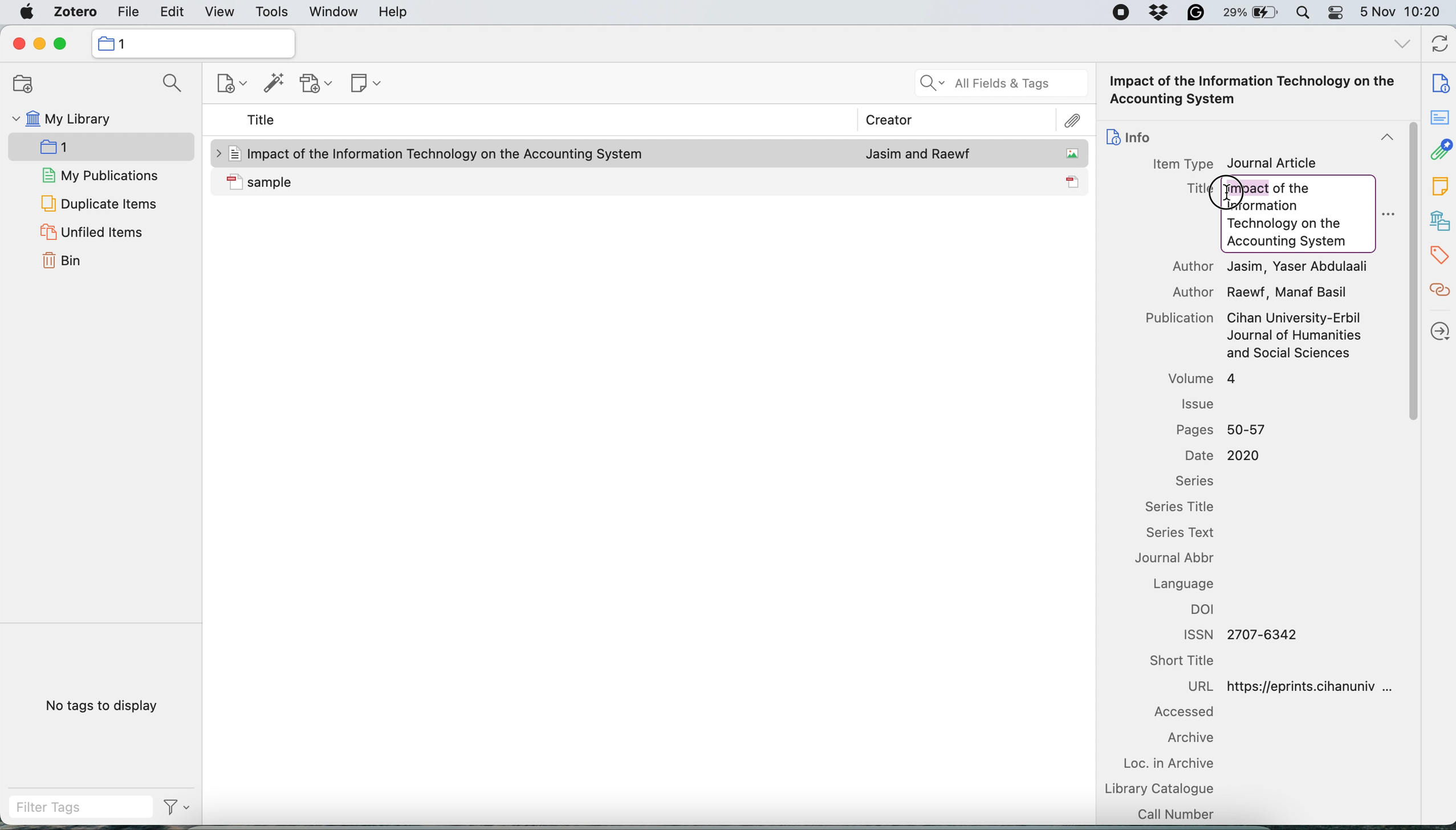 The width and height of the screenshot is (1456, 830). Describe the element at coordinates (1295, 187) in the screenshot. I see `of the` at that location.